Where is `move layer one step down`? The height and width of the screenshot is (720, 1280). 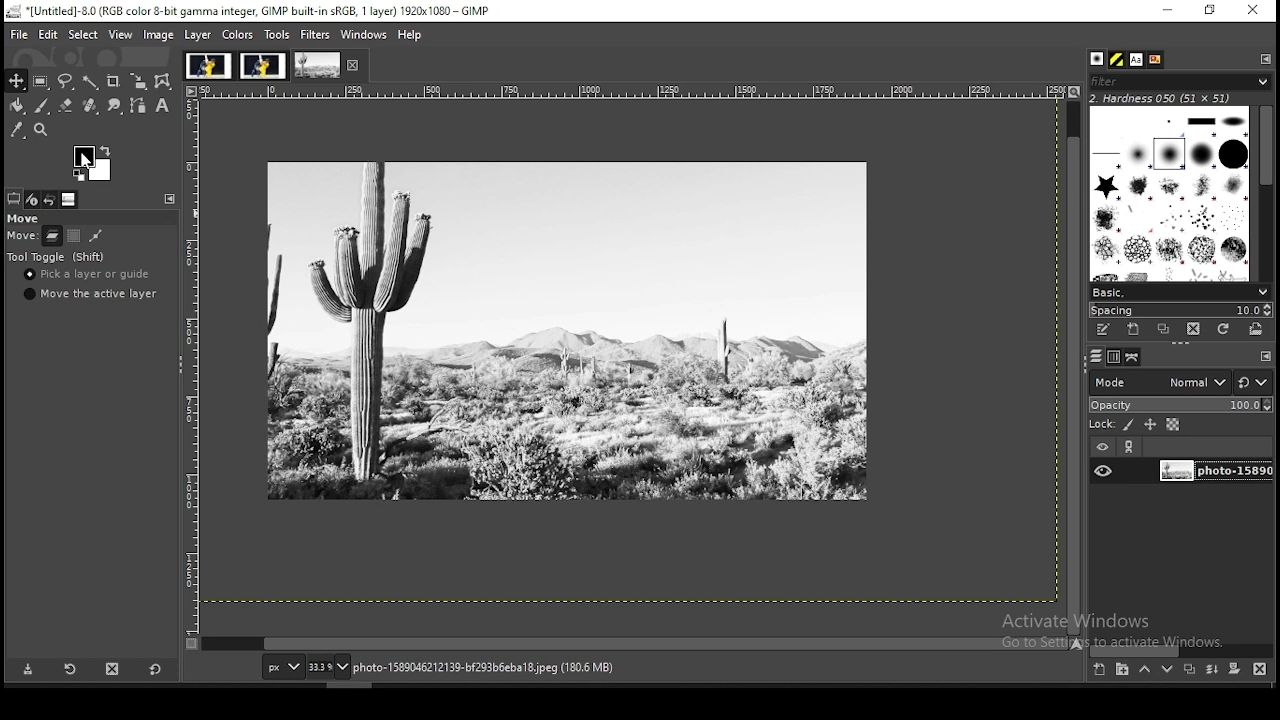
move layer one step down is located at coordinates (1167, 669).